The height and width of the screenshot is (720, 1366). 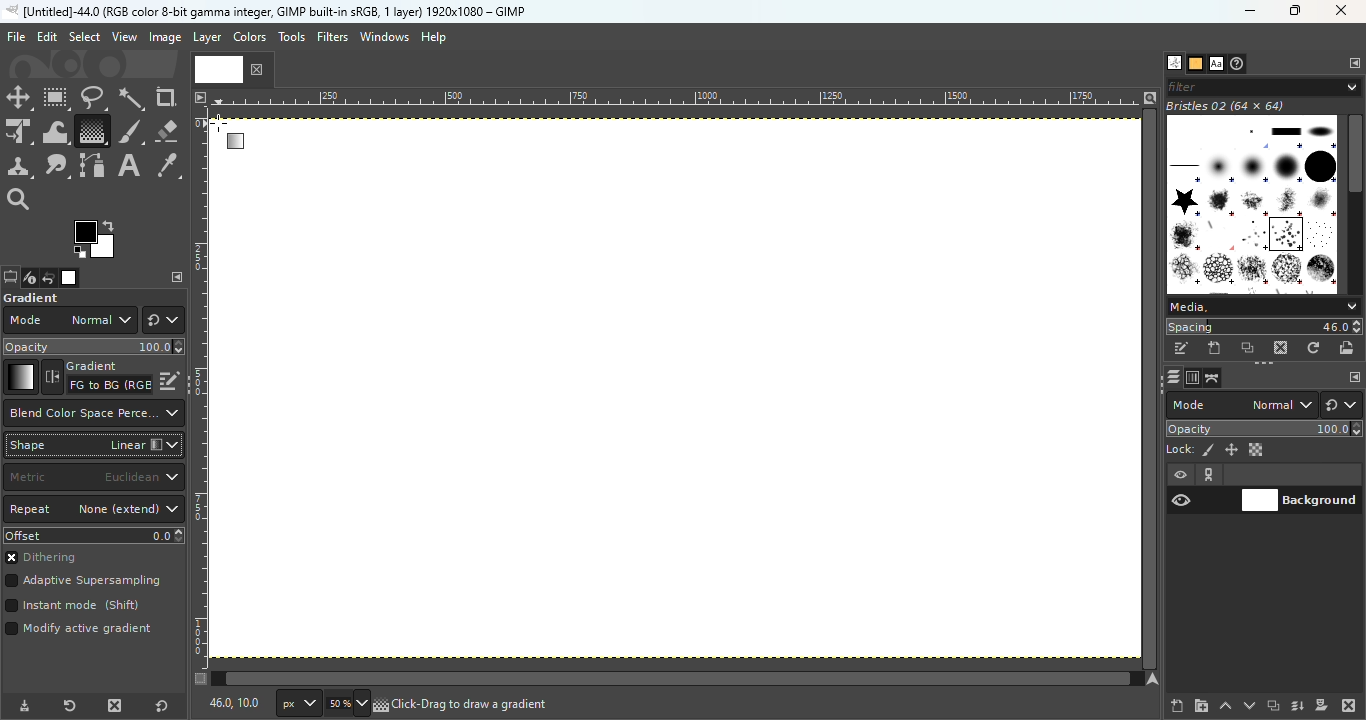 I want to click on Current file, so click(x=233, y=68).